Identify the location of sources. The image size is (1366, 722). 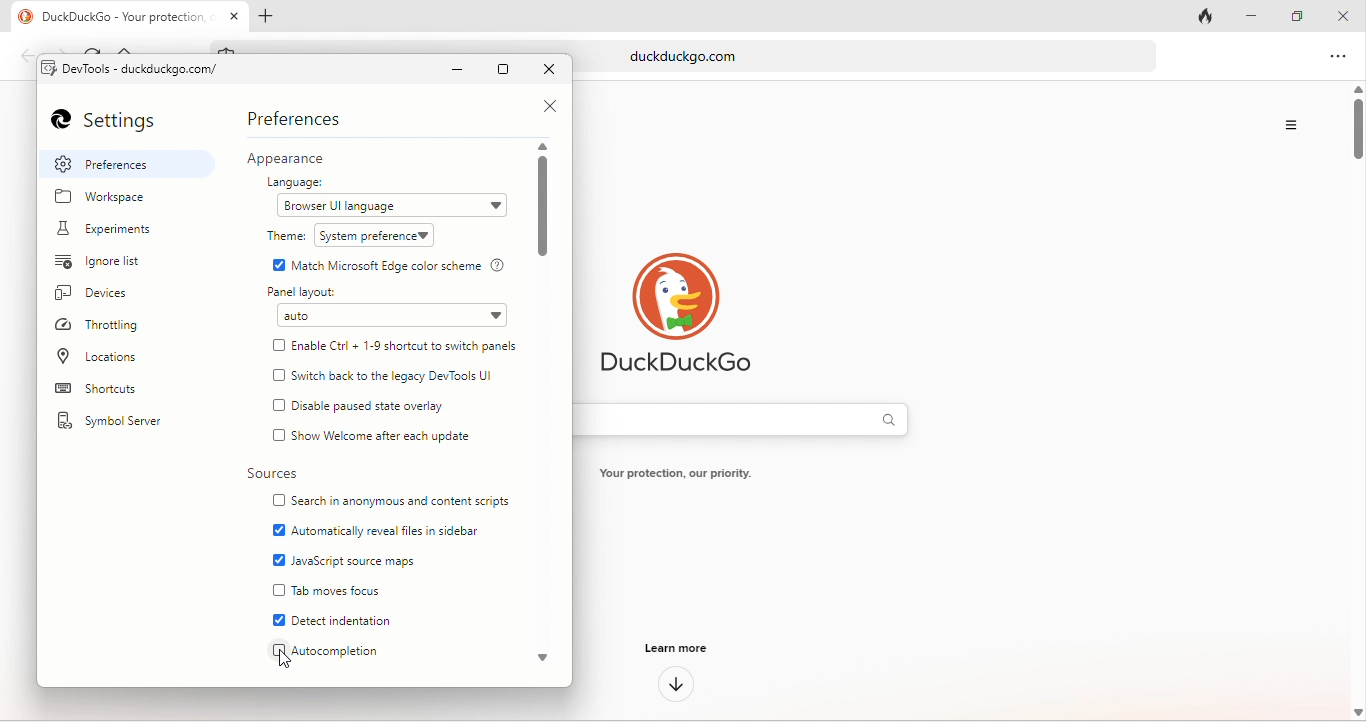
(271, 475).